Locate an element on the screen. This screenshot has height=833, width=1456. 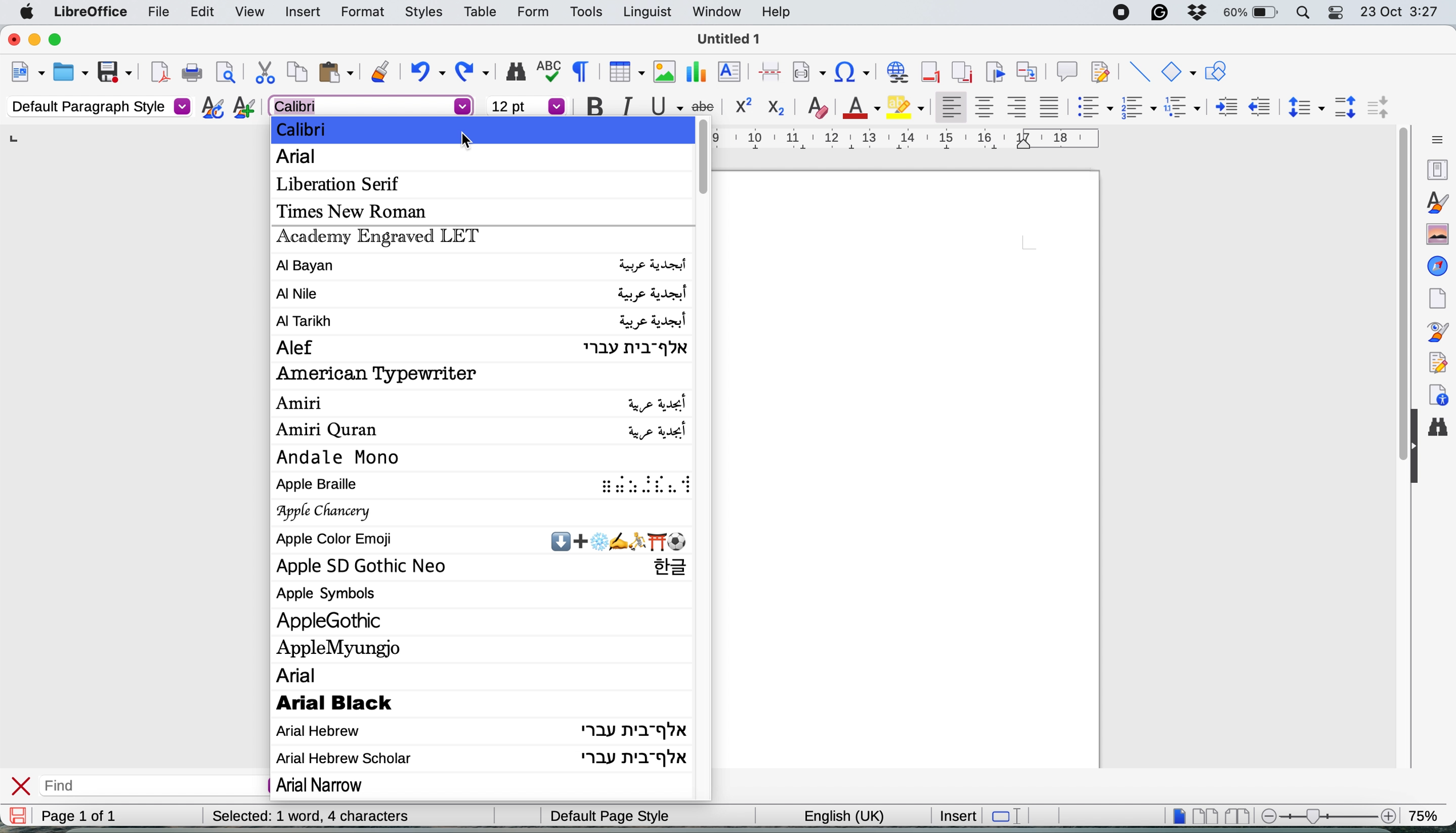
rial is located at coordinates (303, 160).